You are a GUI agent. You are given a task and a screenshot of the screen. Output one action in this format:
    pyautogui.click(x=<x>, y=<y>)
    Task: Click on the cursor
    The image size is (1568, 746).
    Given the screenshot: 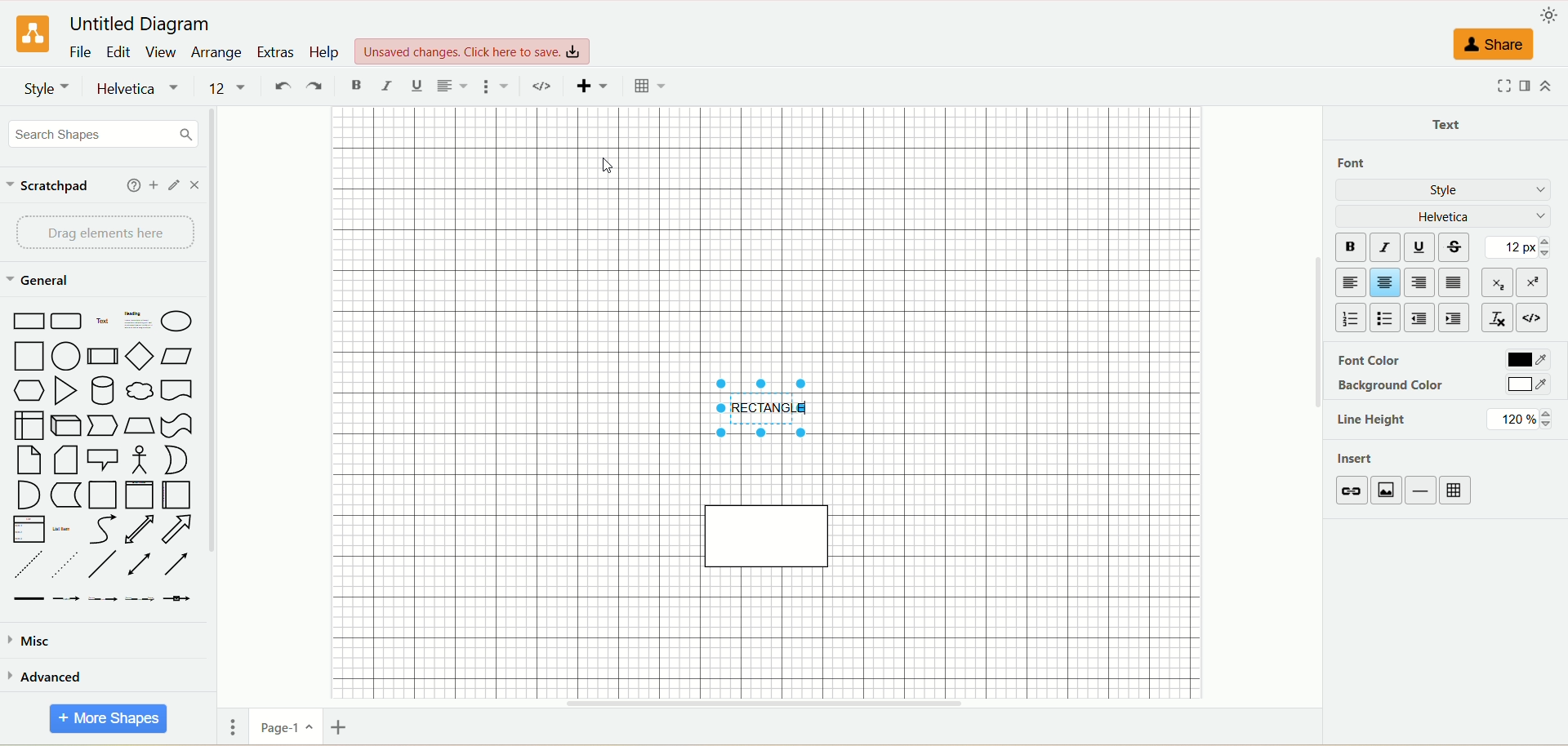 What is the action you would take?
    pyautogui.click(x=596, y=167)
    